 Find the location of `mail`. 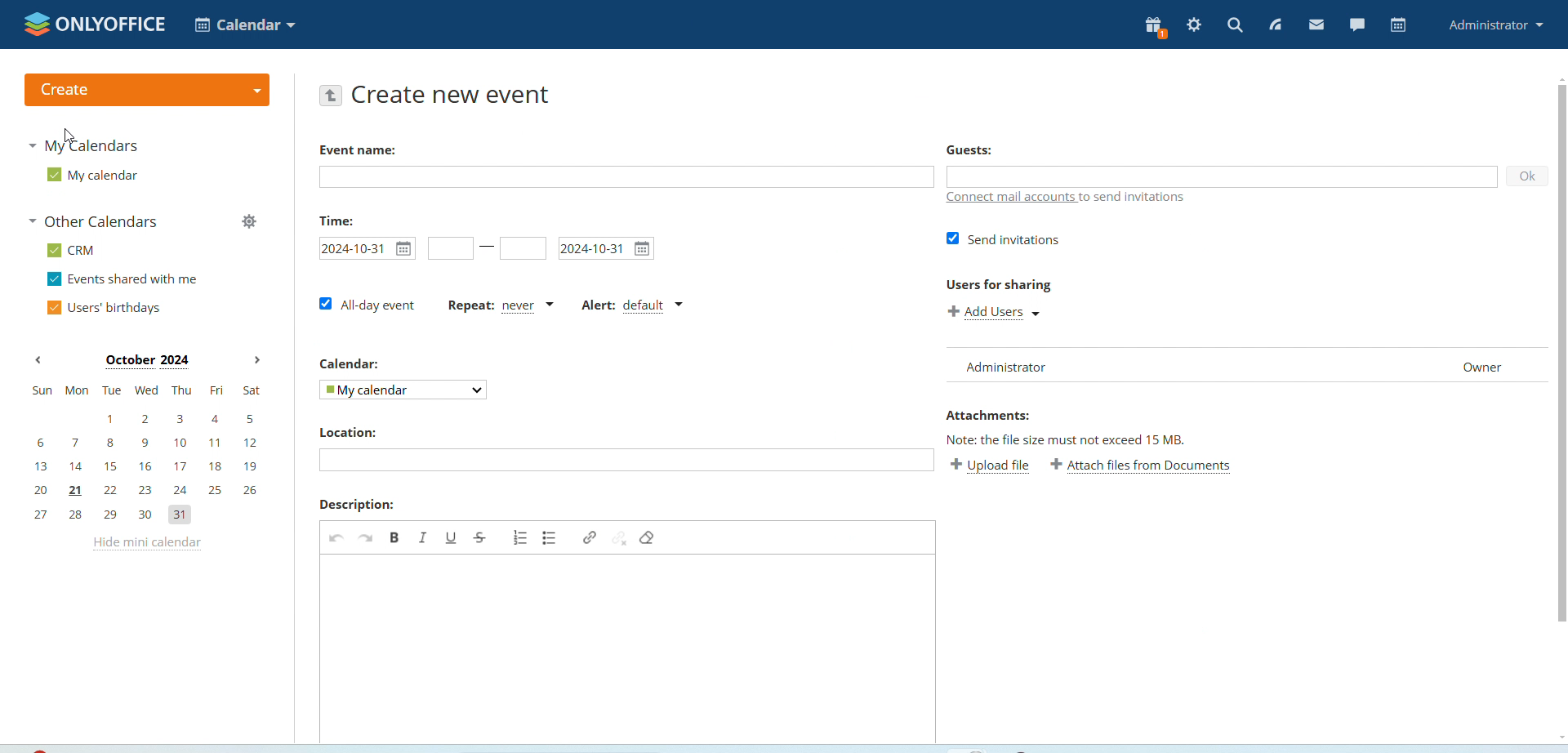

mail is located at coordinates (1317, 25).